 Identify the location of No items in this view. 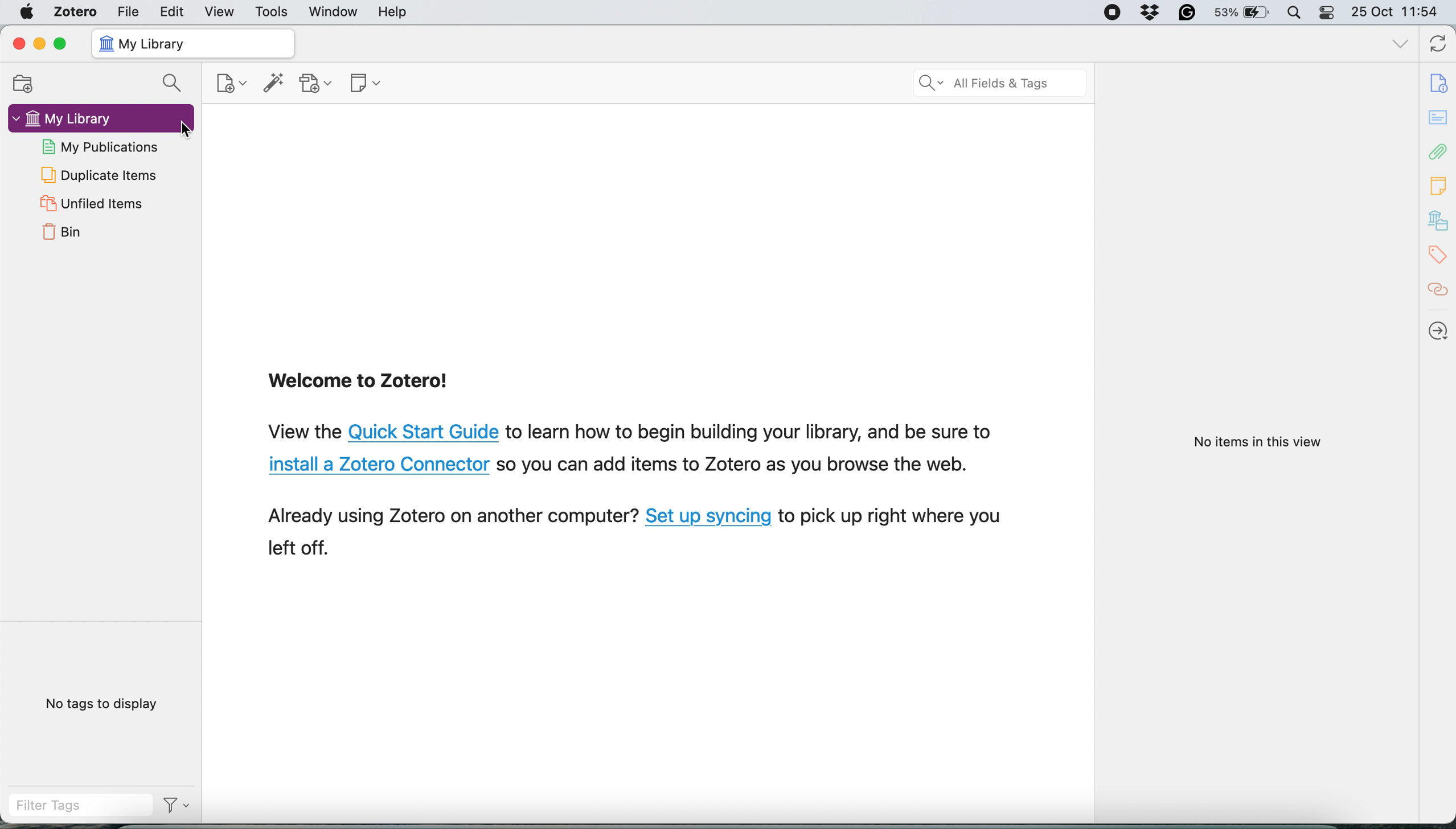
(1255, 442).